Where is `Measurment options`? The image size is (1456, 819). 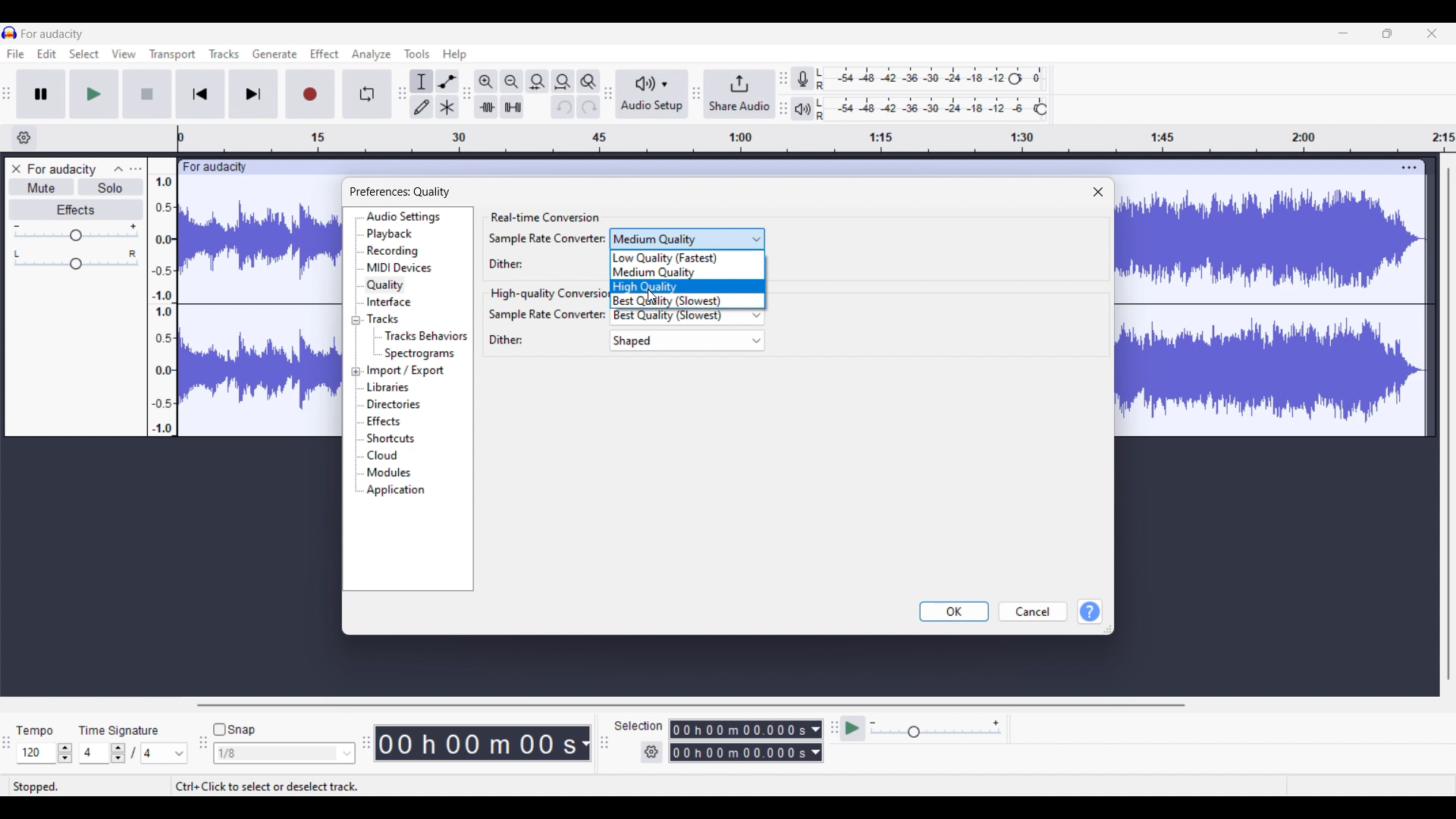 Measurment options is located at coordinates (746, 741).